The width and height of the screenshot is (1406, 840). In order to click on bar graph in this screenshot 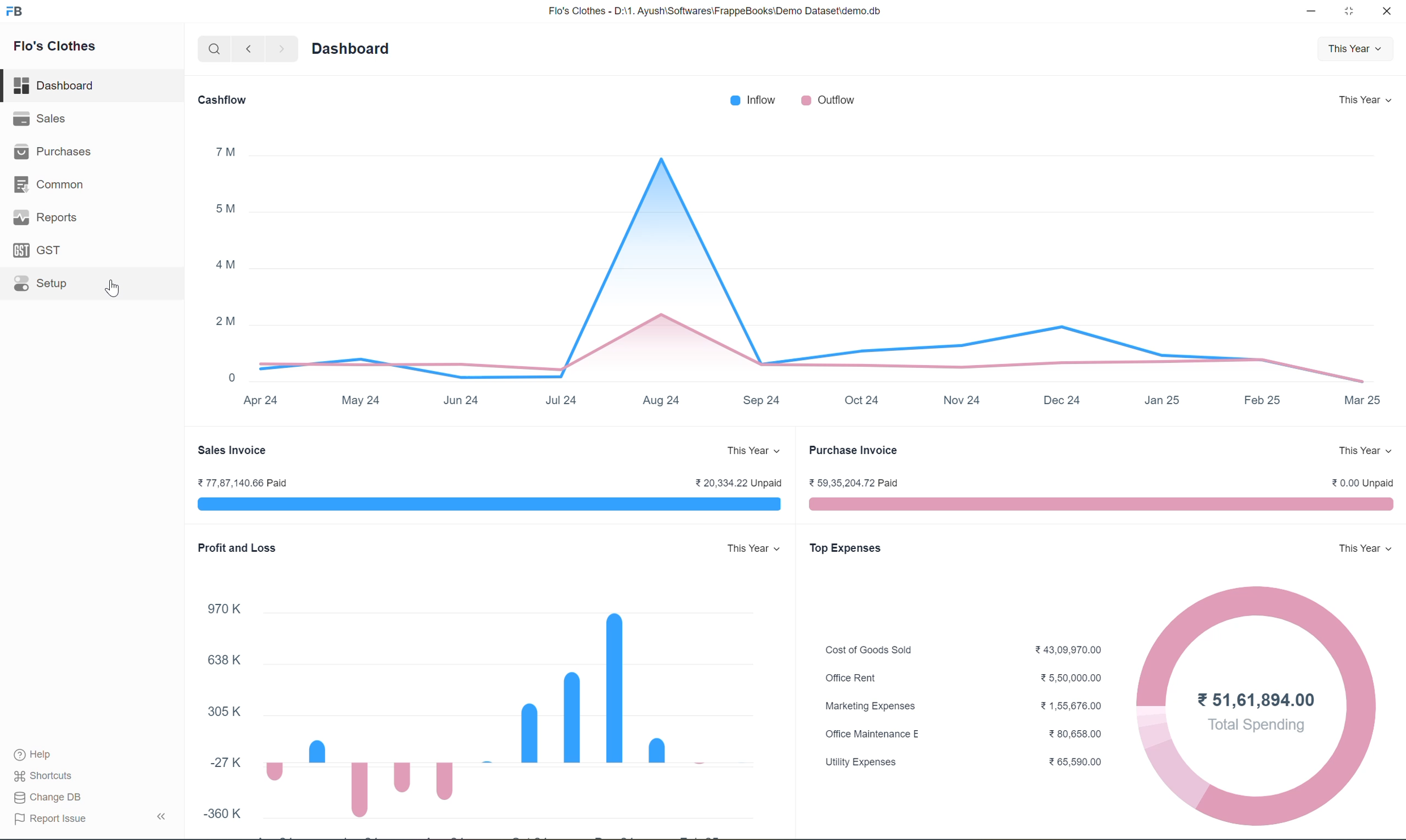, I will do `click(508, 709)`.